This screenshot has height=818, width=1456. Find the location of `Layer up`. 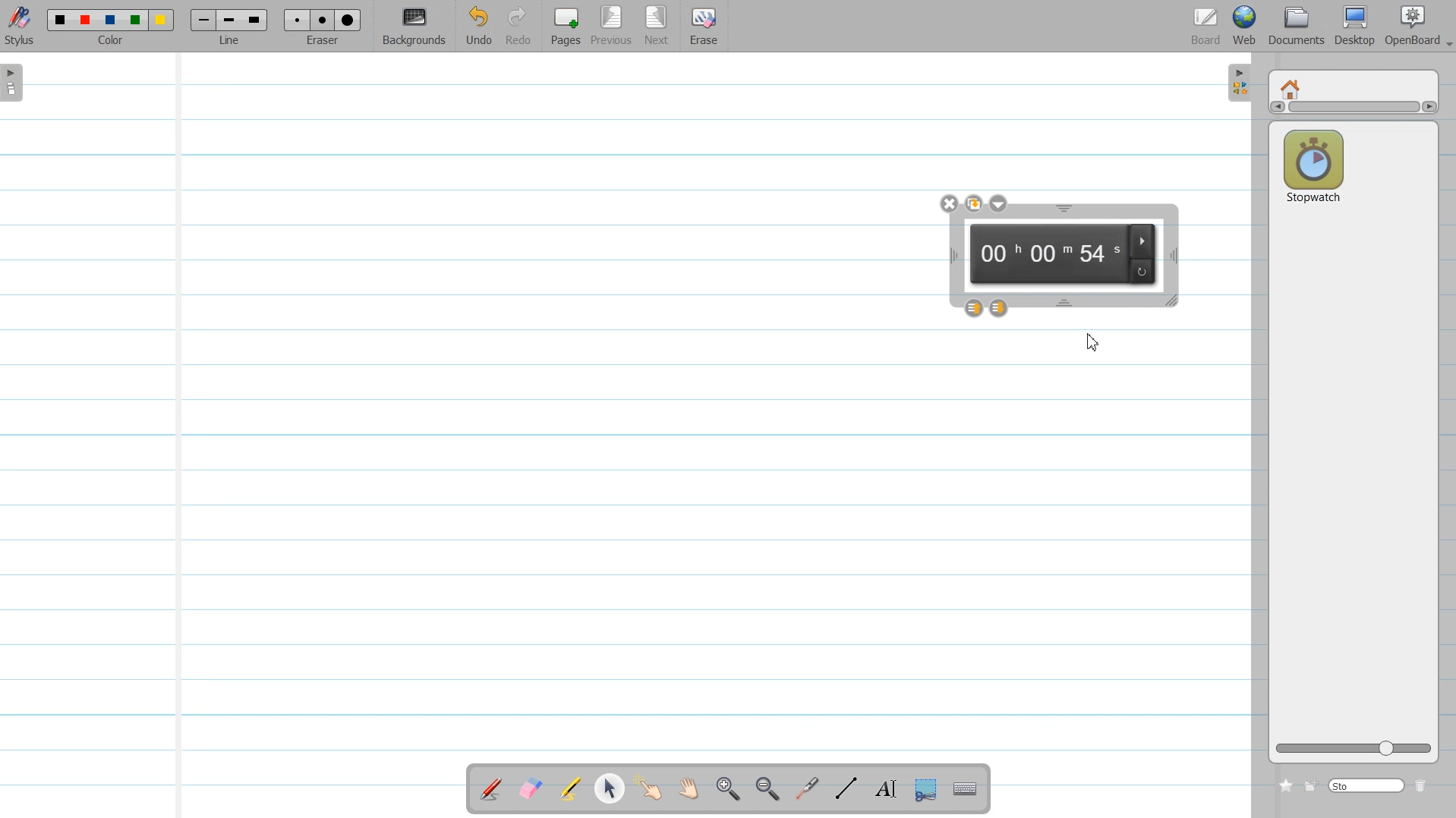

Layer up is located at coordinates (973, 308).